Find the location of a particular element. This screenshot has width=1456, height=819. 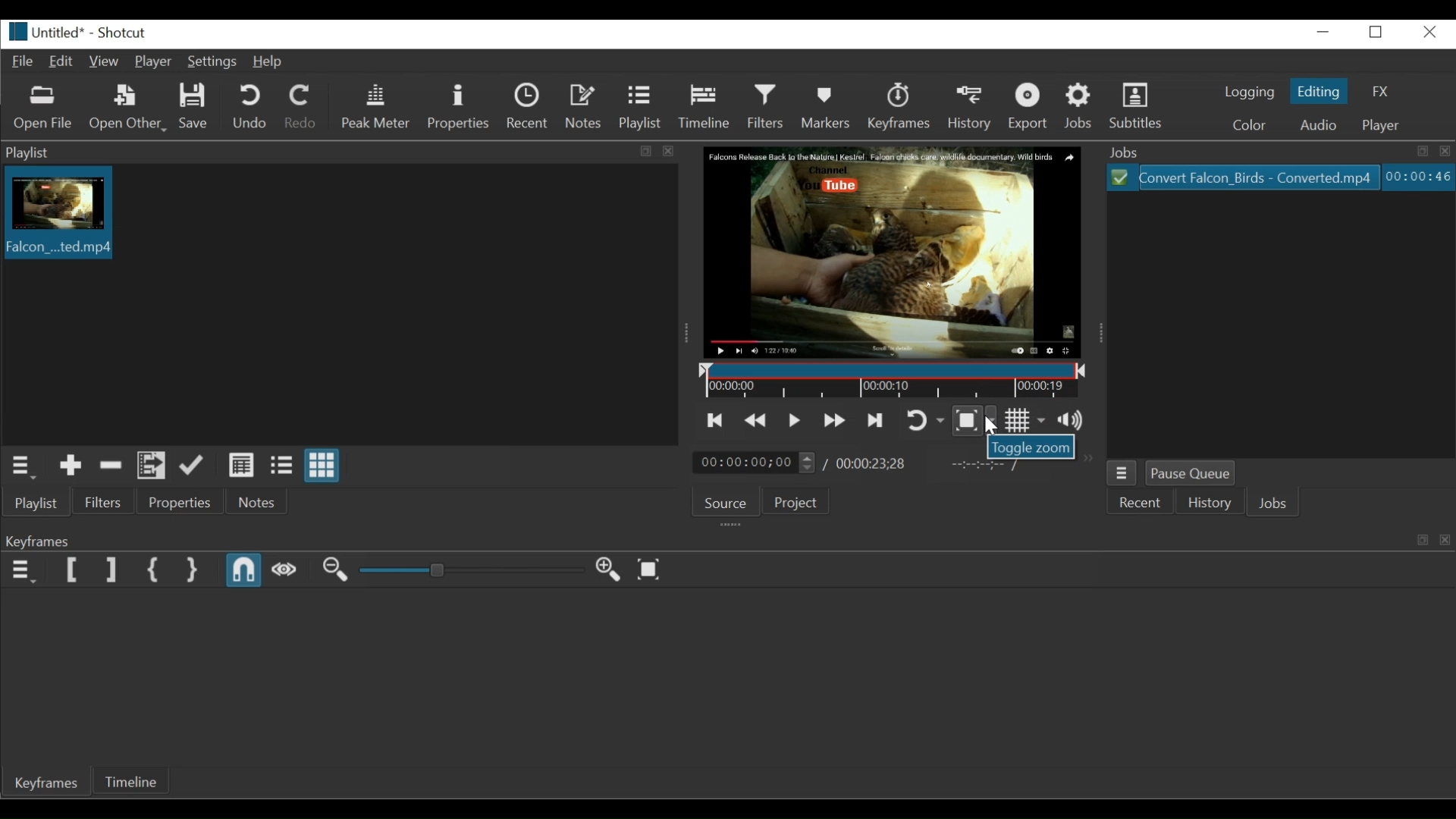

Update is located at coordinates (189, 466).